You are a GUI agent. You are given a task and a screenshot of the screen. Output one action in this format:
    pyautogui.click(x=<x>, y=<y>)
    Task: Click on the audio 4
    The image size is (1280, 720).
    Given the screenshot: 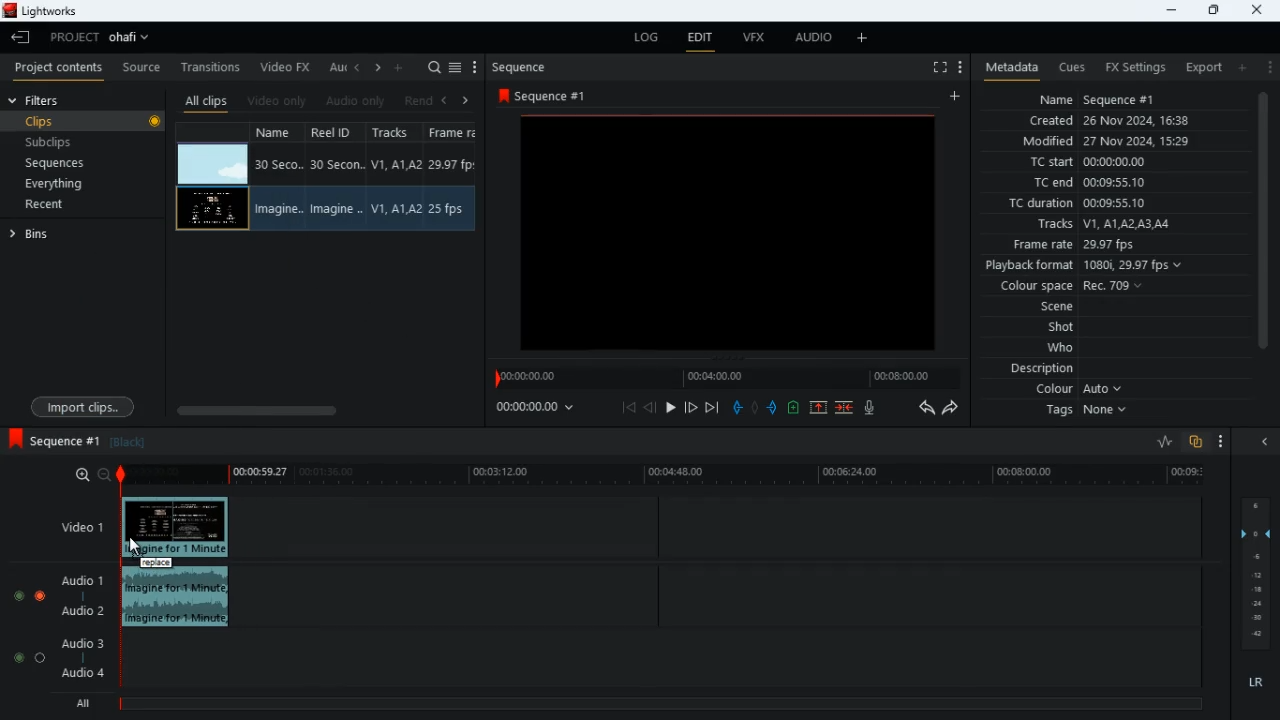 What is the action you would take?
    pyautogui.click(x=81, y=676)
    